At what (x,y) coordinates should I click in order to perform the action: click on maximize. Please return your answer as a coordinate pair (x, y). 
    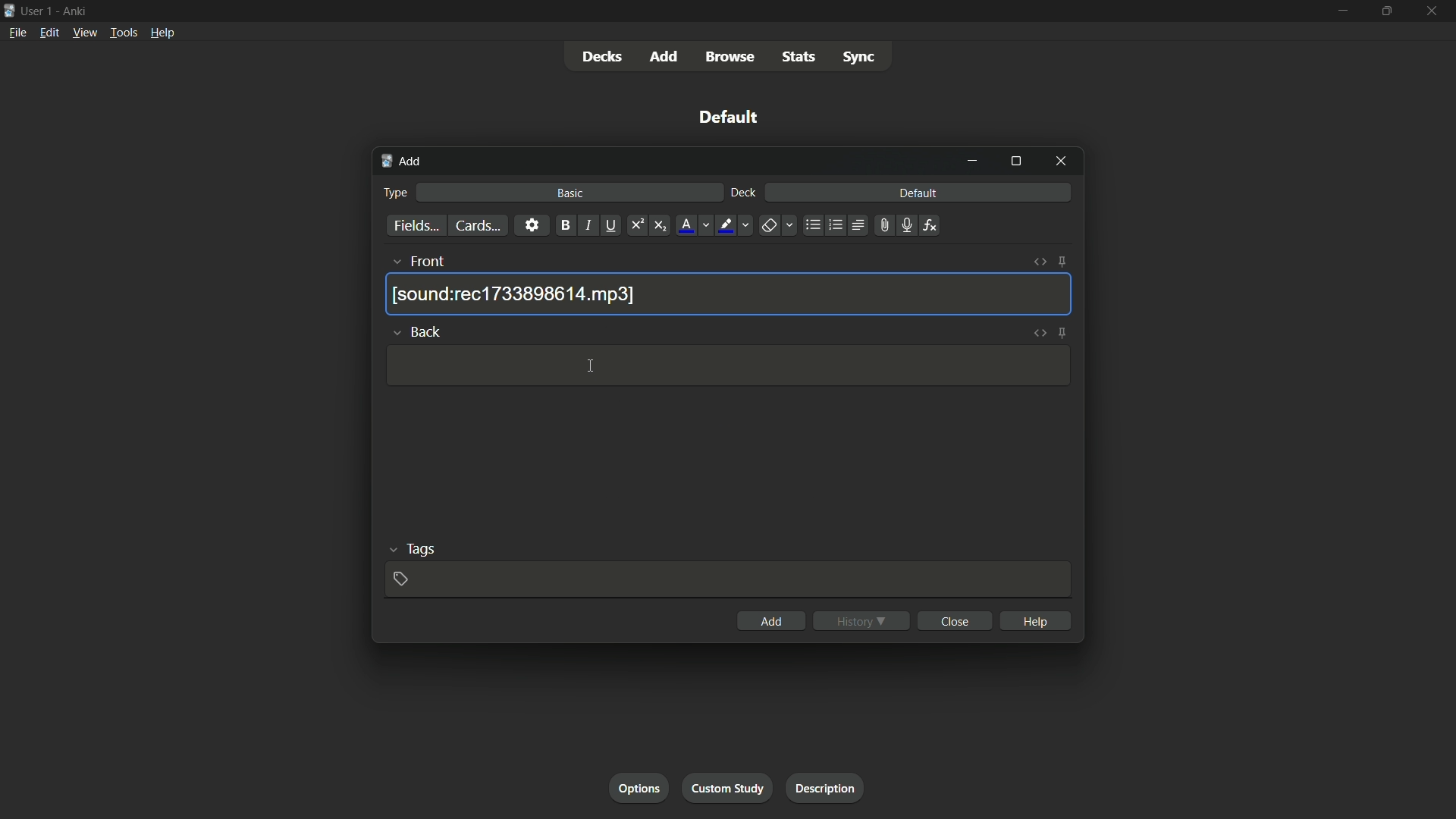
    Looking at the image, I should click on (1387, 11).